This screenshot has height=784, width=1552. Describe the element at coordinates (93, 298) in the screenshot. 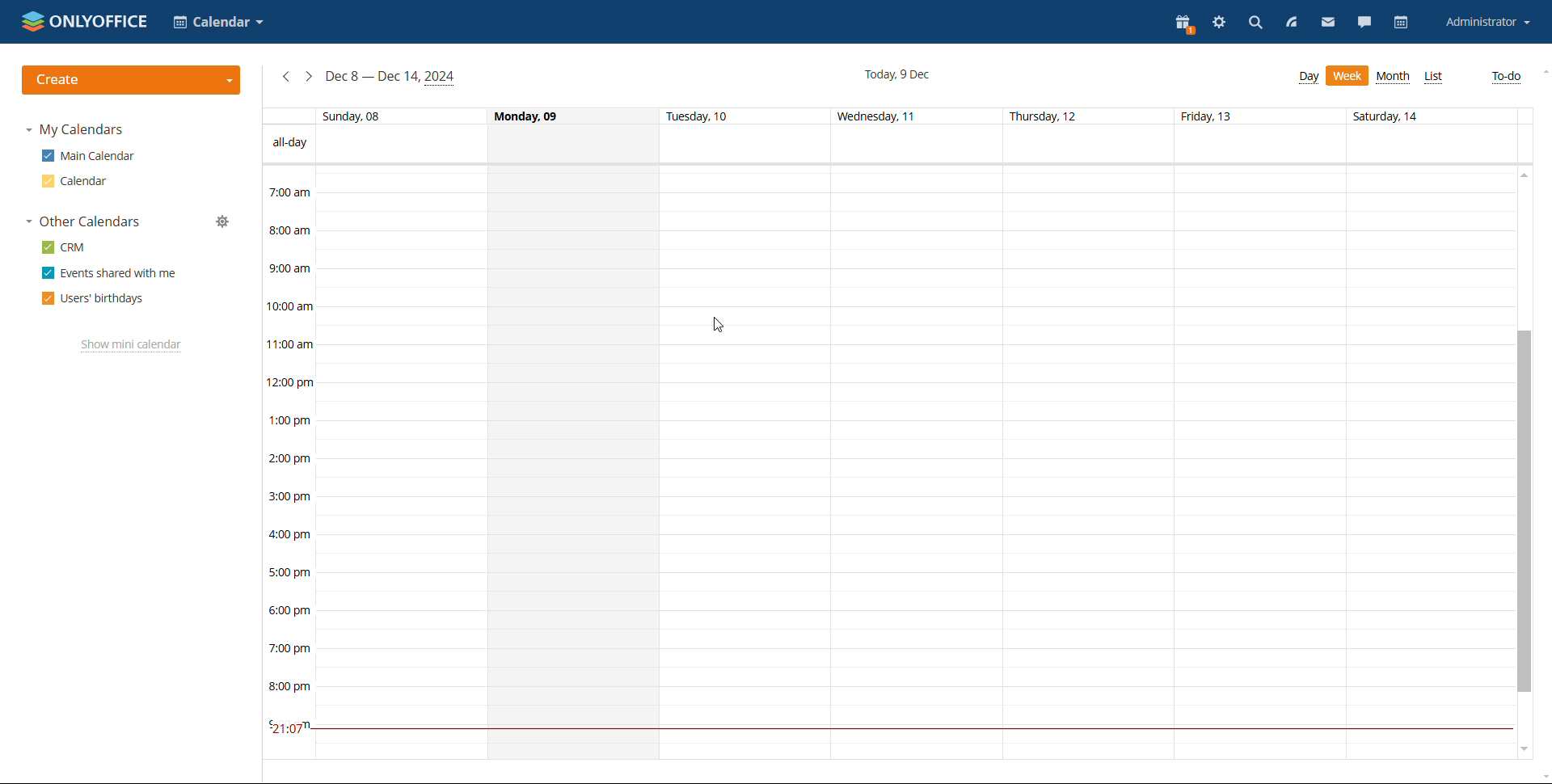

I see `users' birthdays` at that location.